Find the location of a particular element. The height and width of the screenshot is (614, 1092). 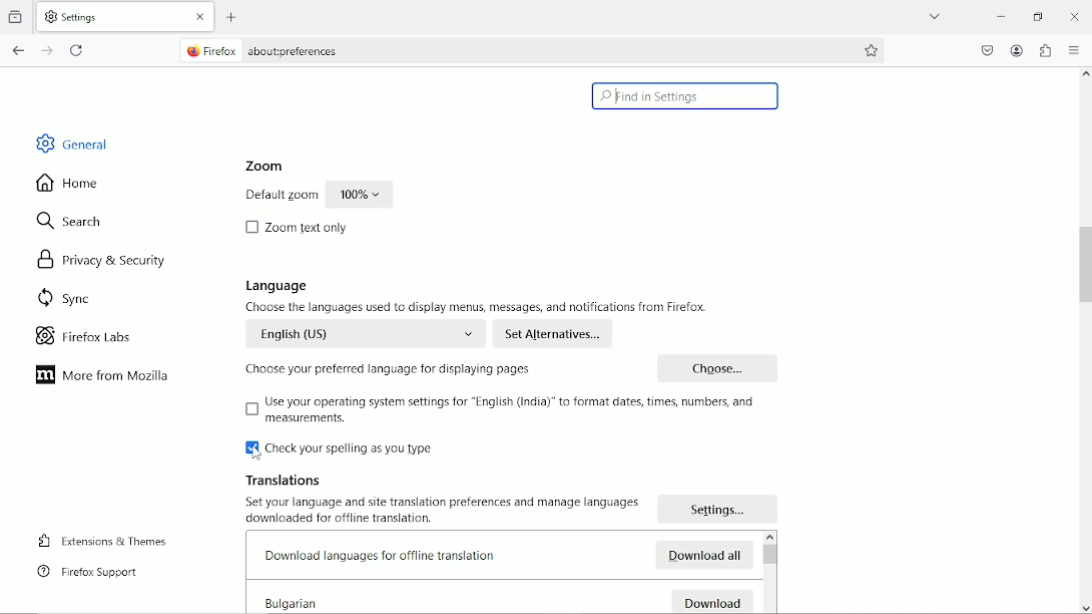

Download all is located at coordinates (702, 556).